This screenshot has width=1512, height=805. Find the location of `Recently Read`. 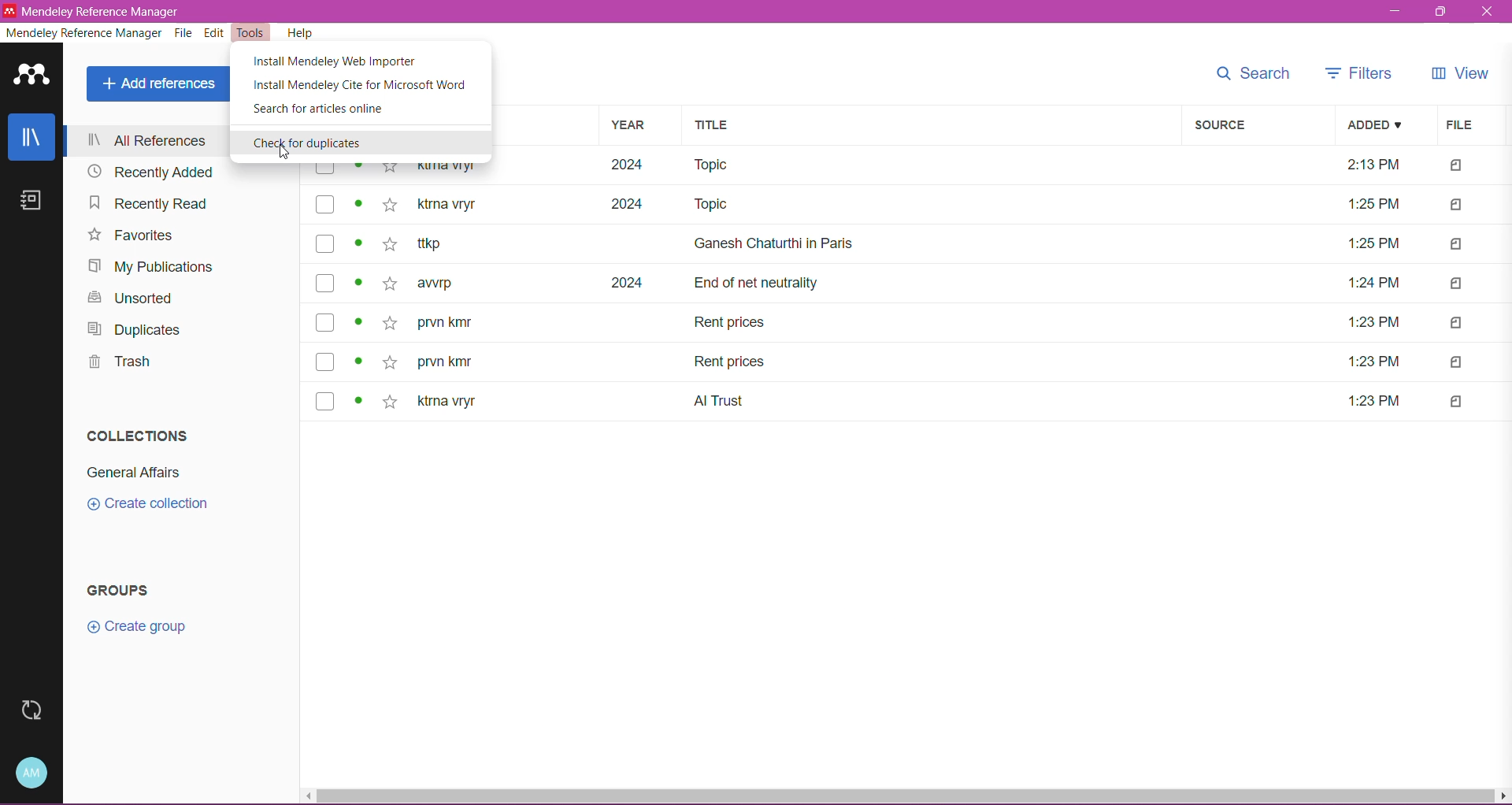

Recently Read is located at coordinates (156, 206).